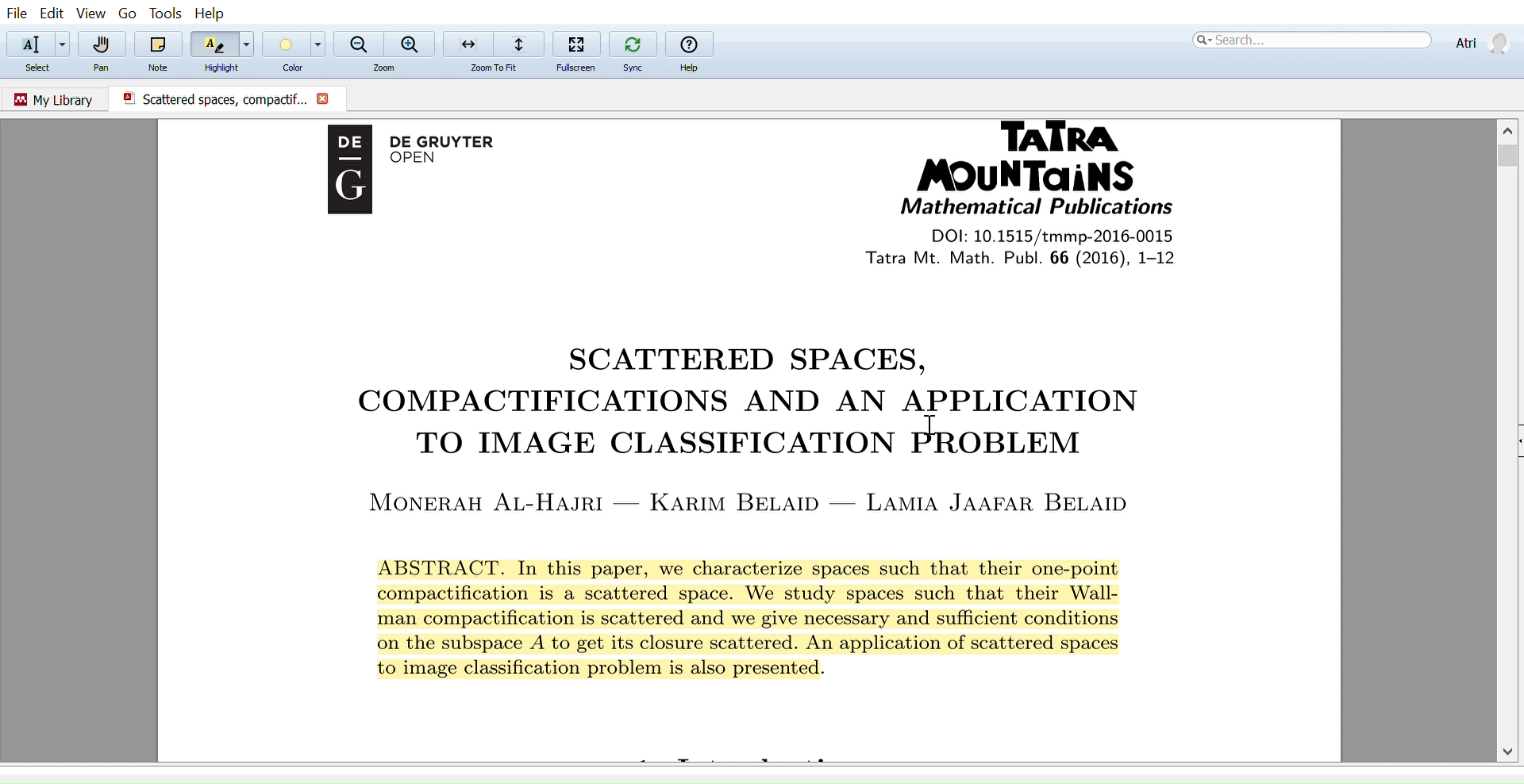  Describe the element at coordinates (499, 68) in the screenshot. I see `zoom to fit` at that location.